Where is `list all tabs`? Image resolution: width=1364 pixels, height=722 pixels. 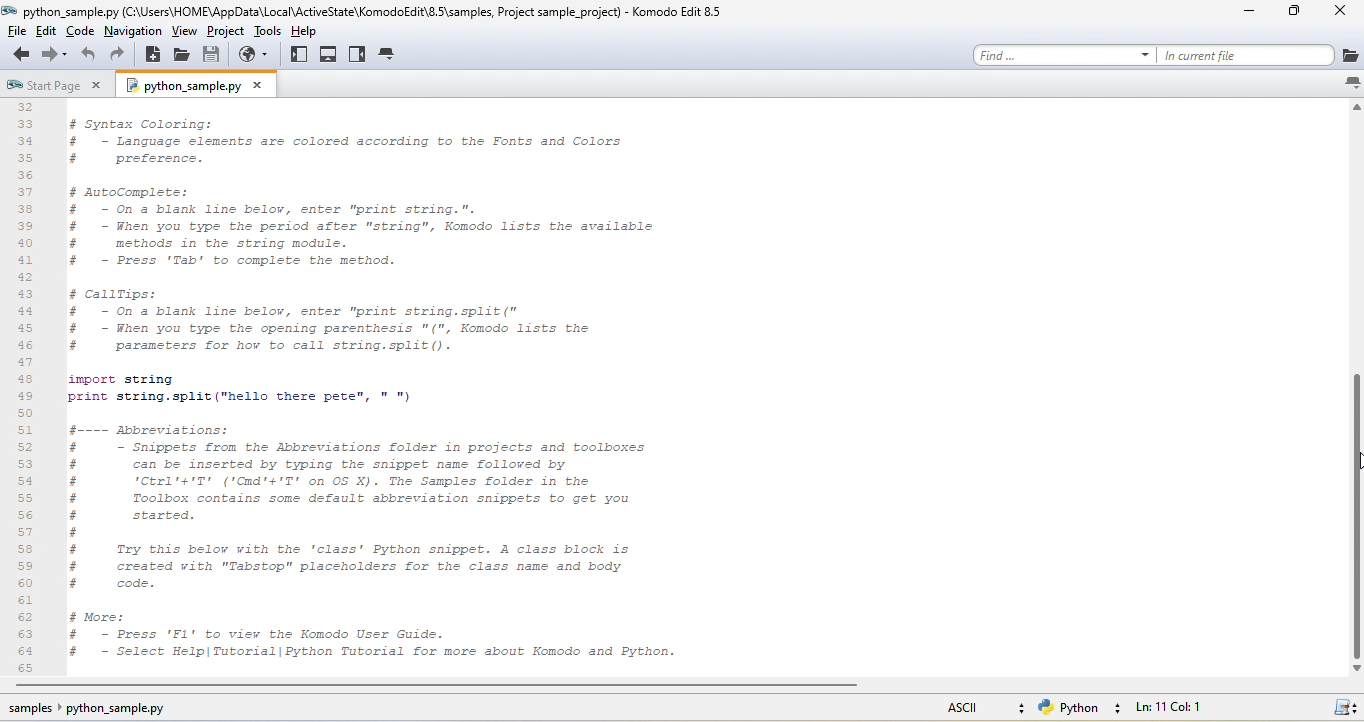 list all tabs is located at coordinates (1350, 83).